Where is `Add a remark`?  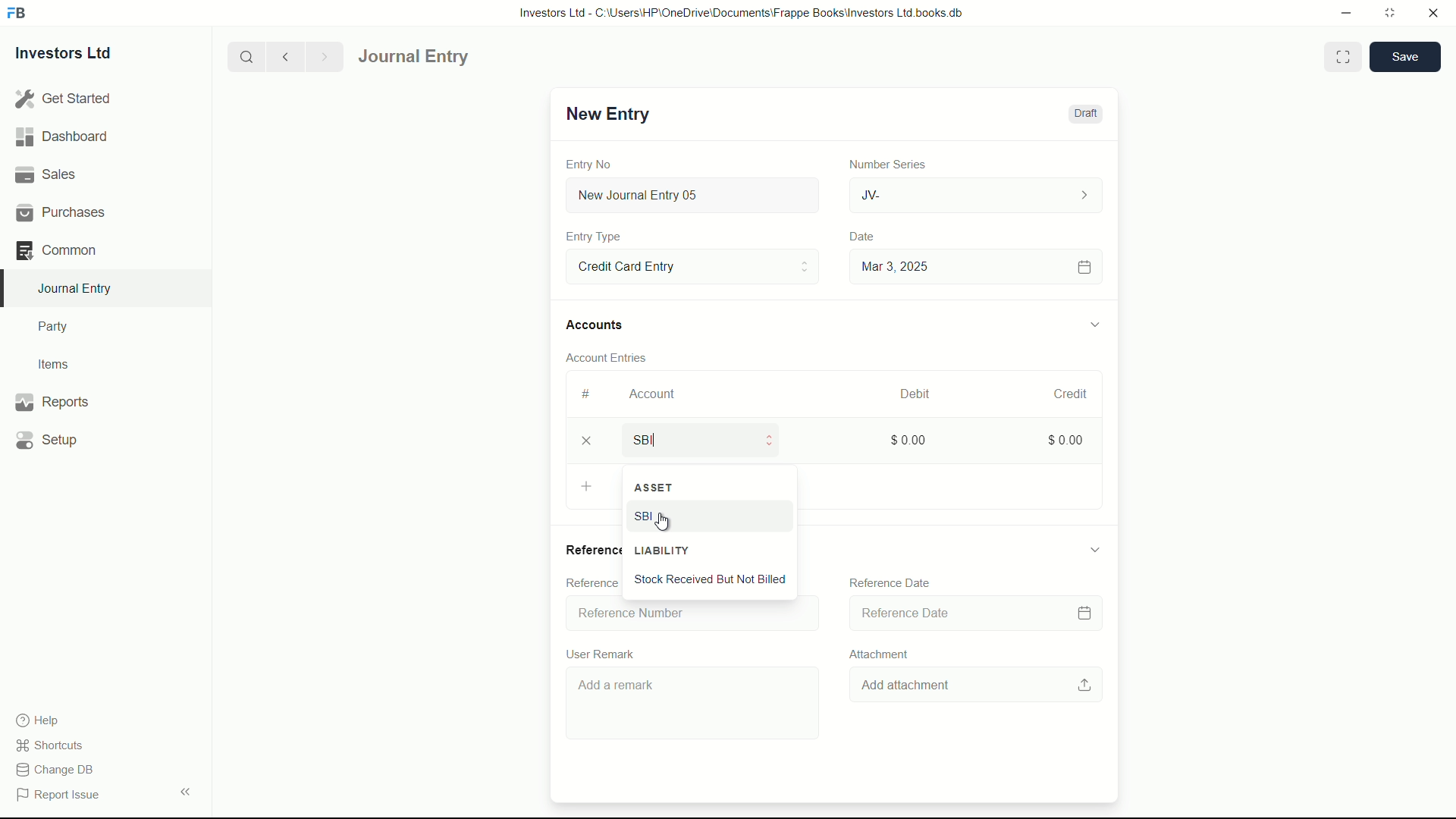 Add a remark is located at coordinates (695, 705).